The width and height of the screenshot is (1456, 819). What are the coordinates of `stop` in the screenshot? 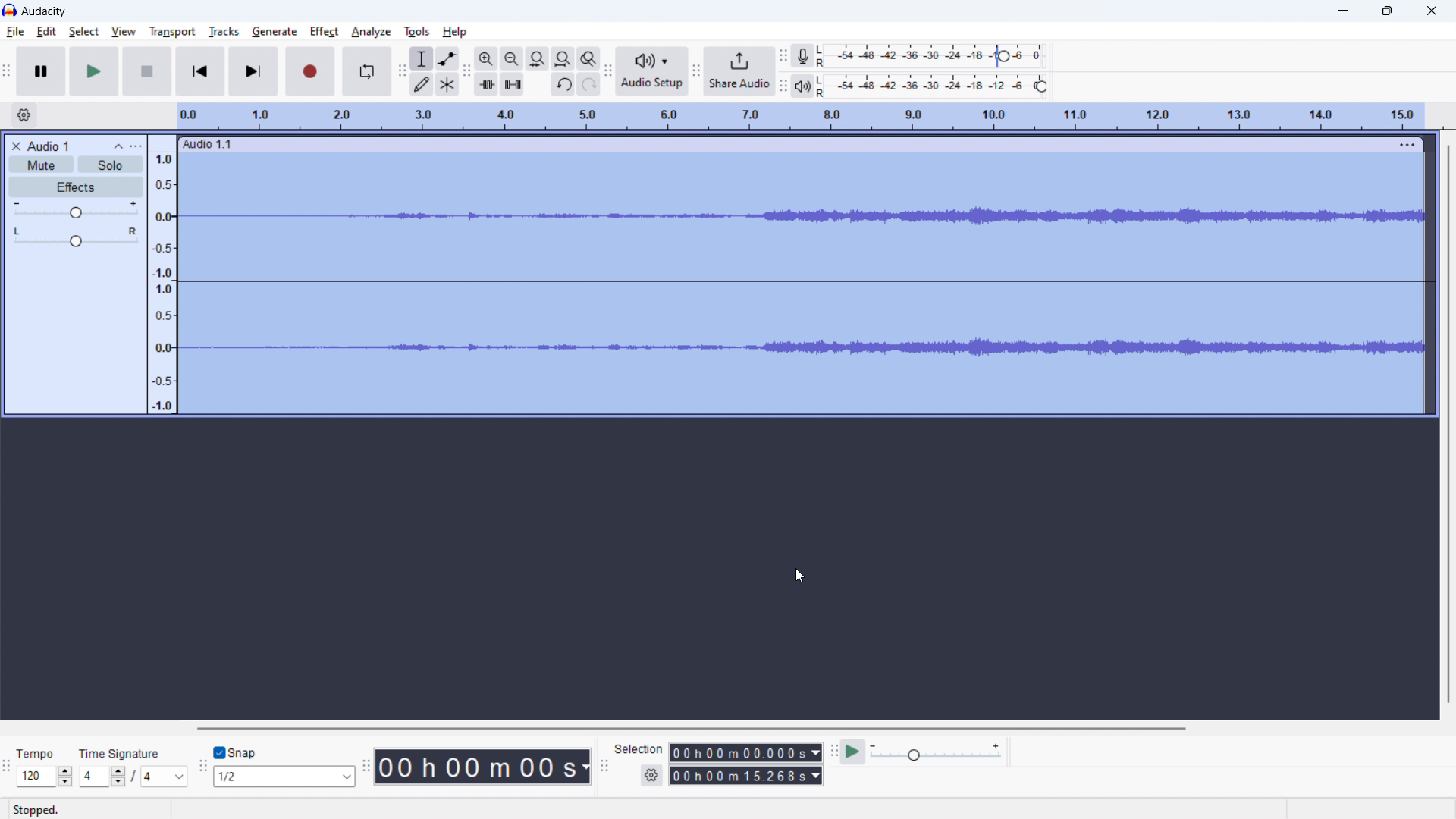 It's located at (147, 71).